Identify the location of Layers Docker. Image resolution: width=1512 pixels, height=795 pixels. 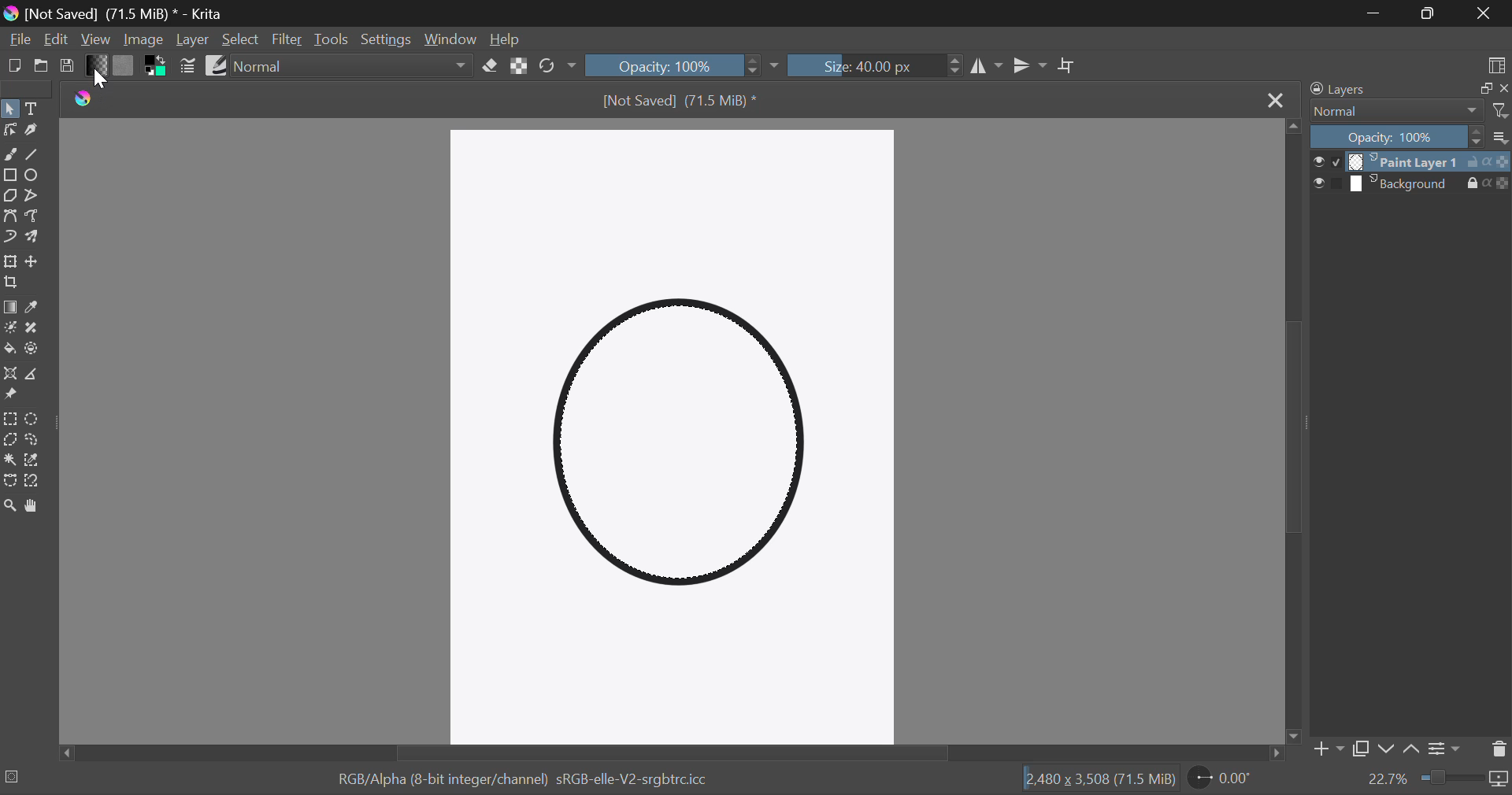
(1352, 89).